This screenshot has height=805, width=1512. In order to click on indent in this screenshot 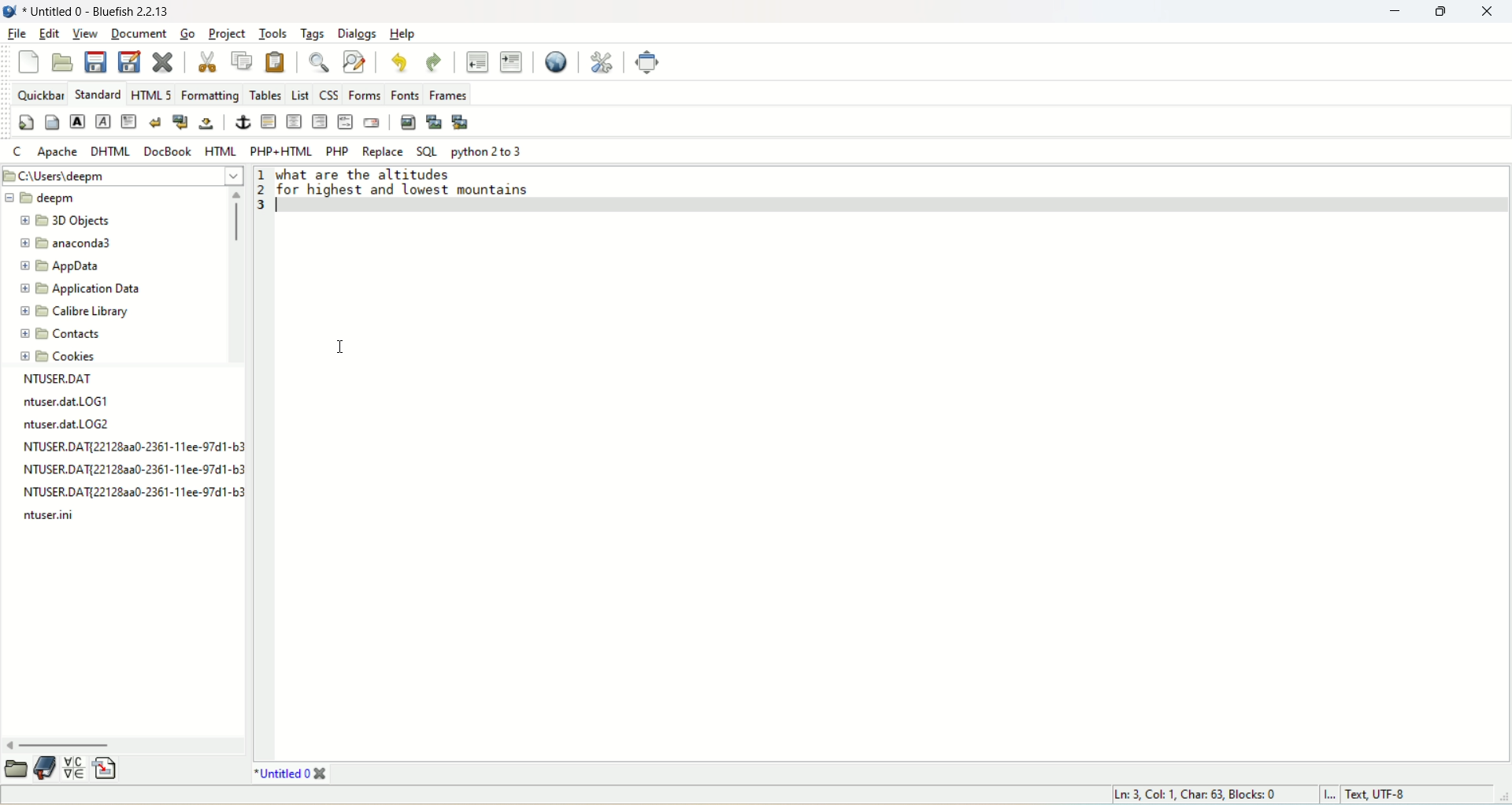, I will do `click(510, 63)`.